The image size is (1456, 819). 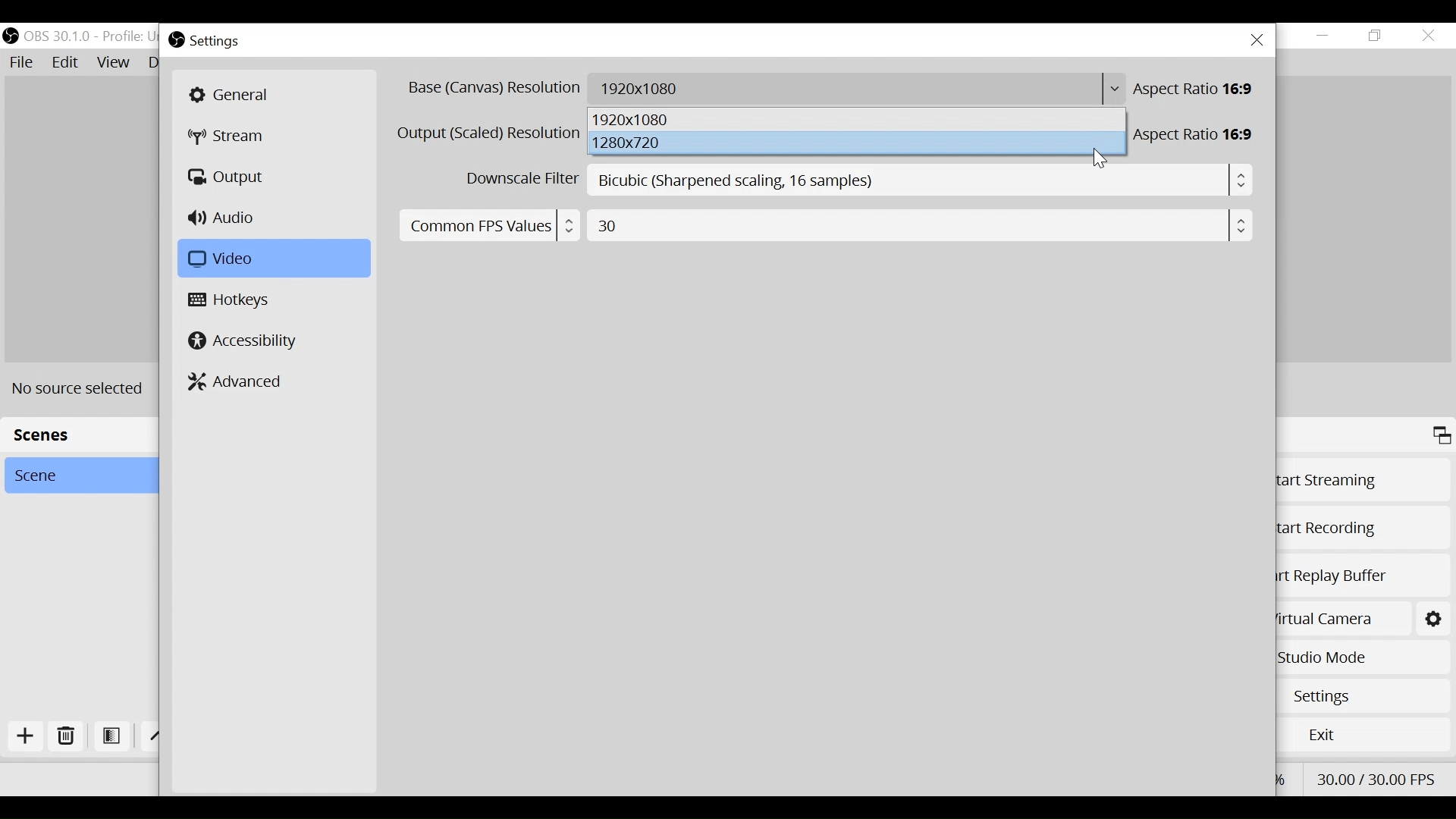 I want to click on Output, so click(x=229, y=177).